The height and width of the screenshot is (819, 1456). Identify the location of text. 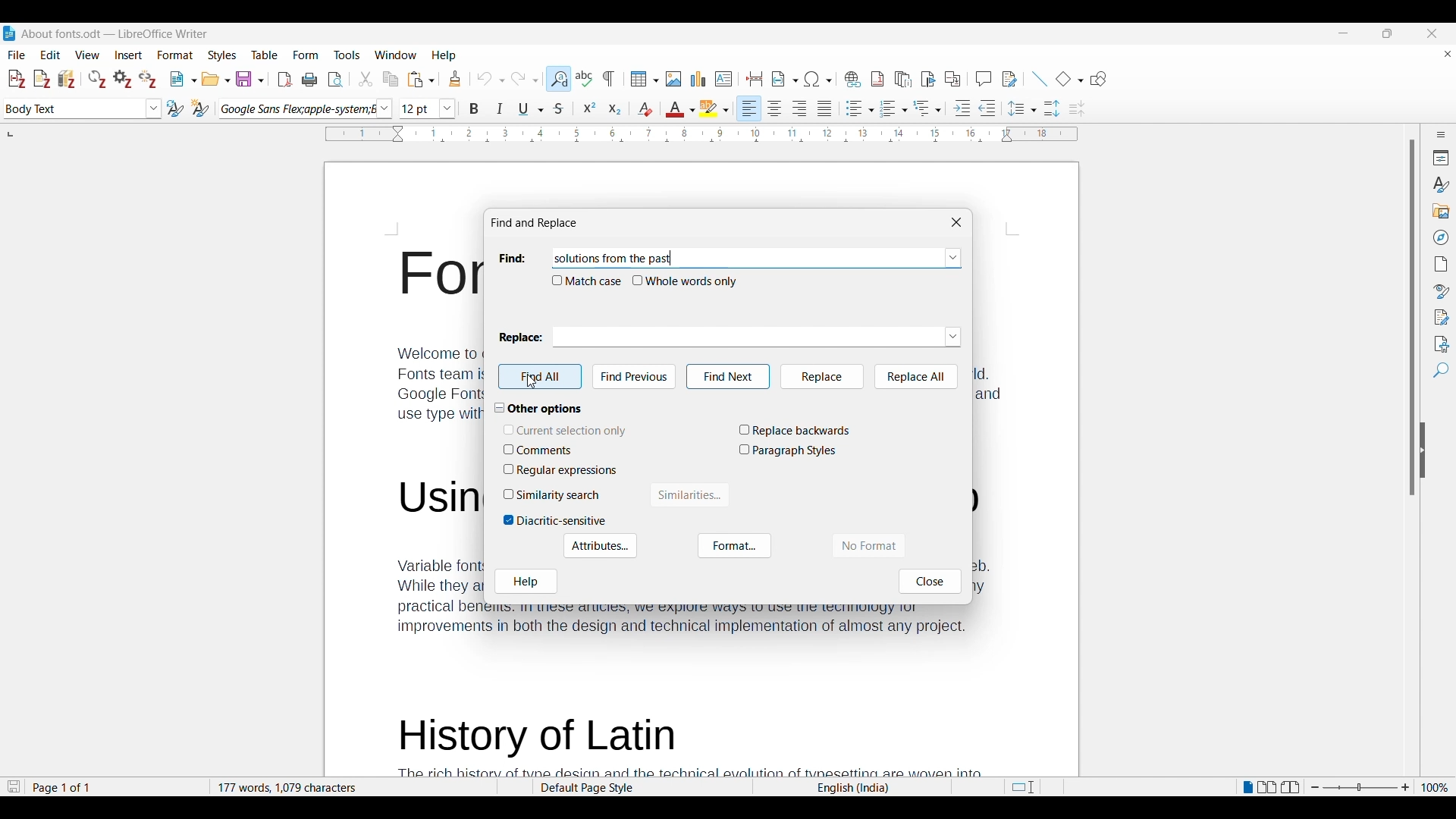
(690, 744).